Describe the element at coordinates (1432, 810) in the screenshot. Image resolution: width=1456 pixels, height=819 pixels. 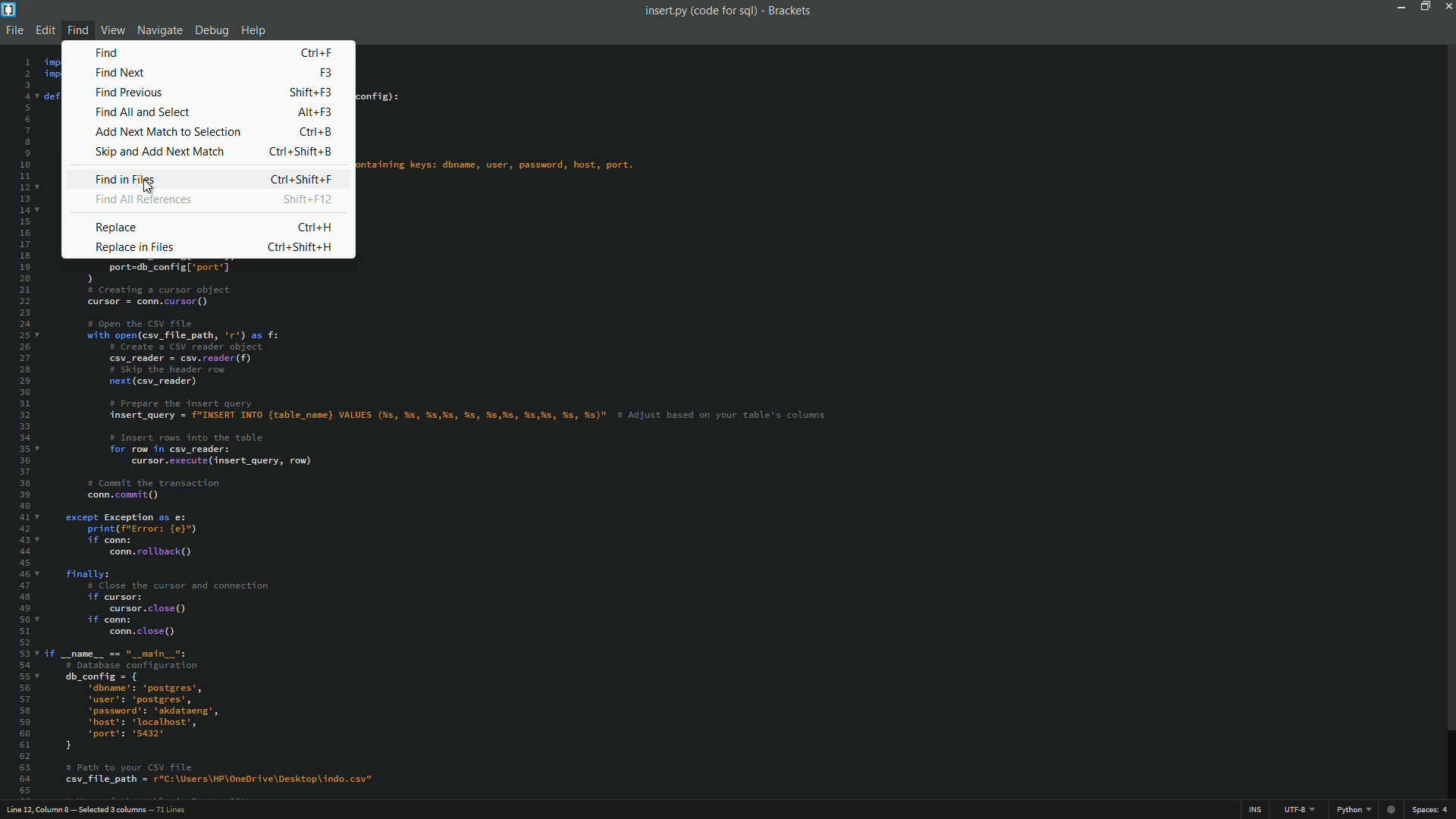
I see `space` at that location.